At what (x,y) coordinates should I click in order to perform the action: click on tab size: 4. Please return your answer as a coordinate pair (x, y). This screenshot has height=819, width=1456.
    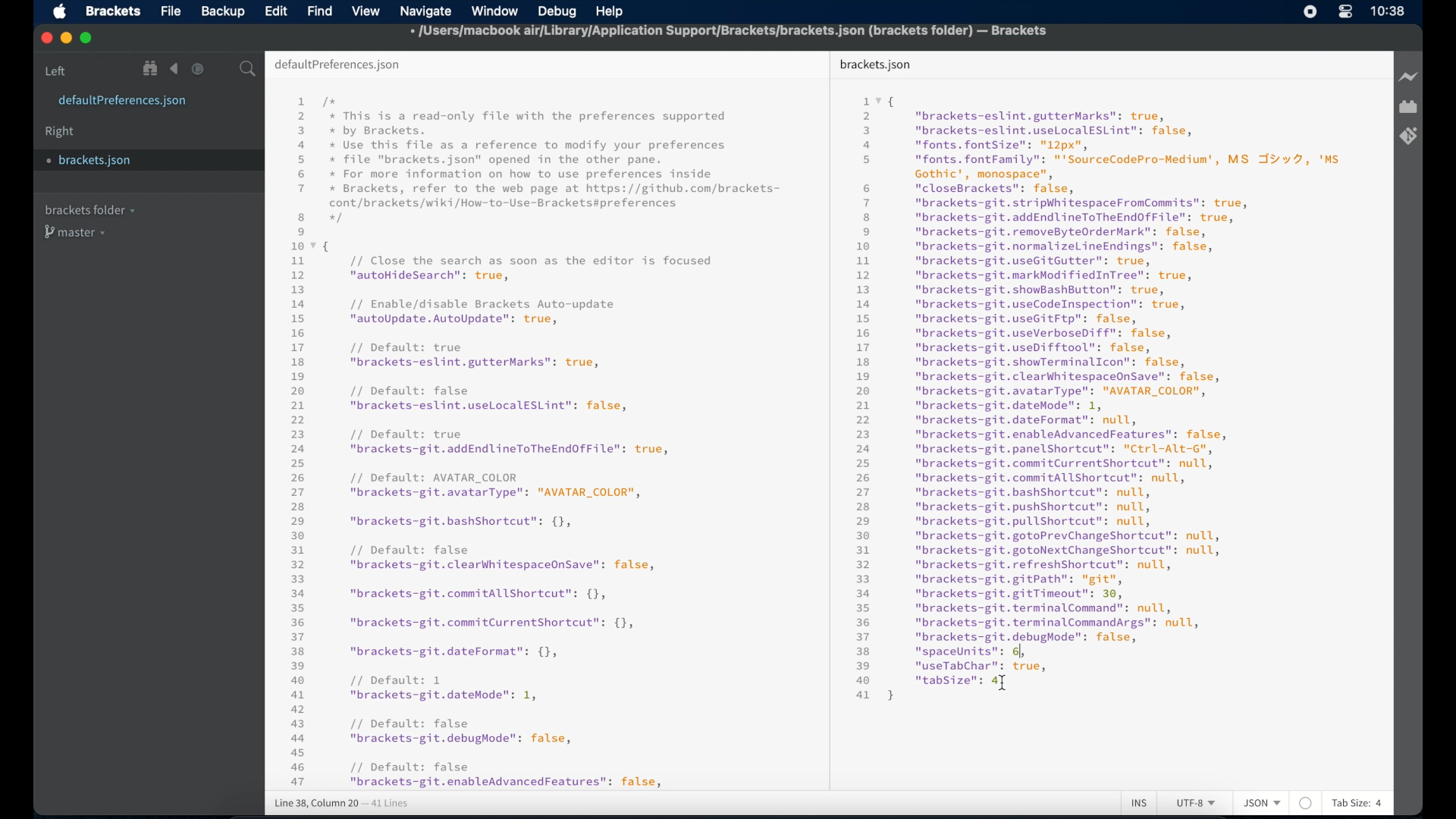
    Looking at the image, I should click on (1357, 802).